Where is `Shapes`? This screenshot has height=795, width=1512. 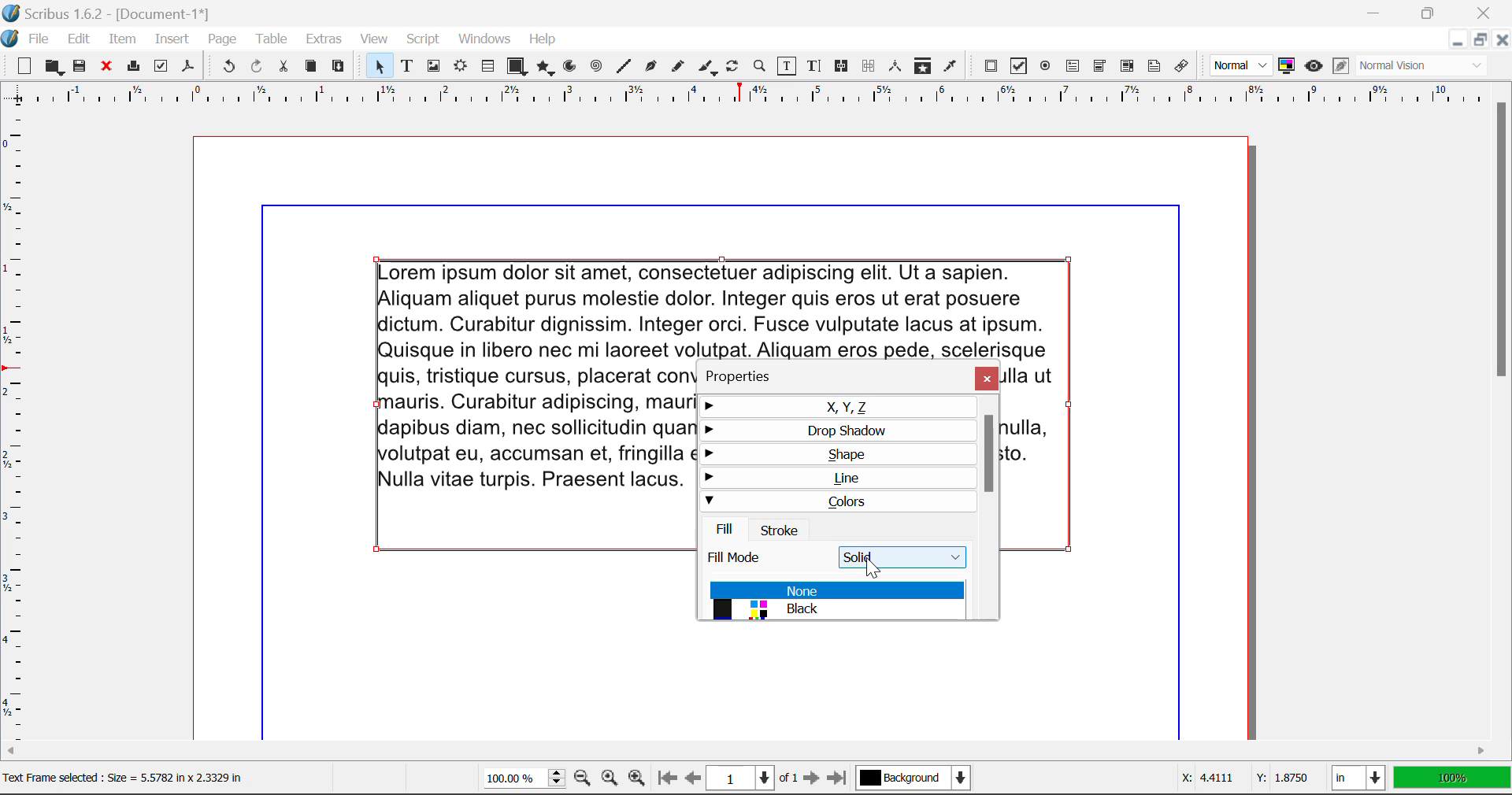
Shapes is located at coordinates (517, 68).